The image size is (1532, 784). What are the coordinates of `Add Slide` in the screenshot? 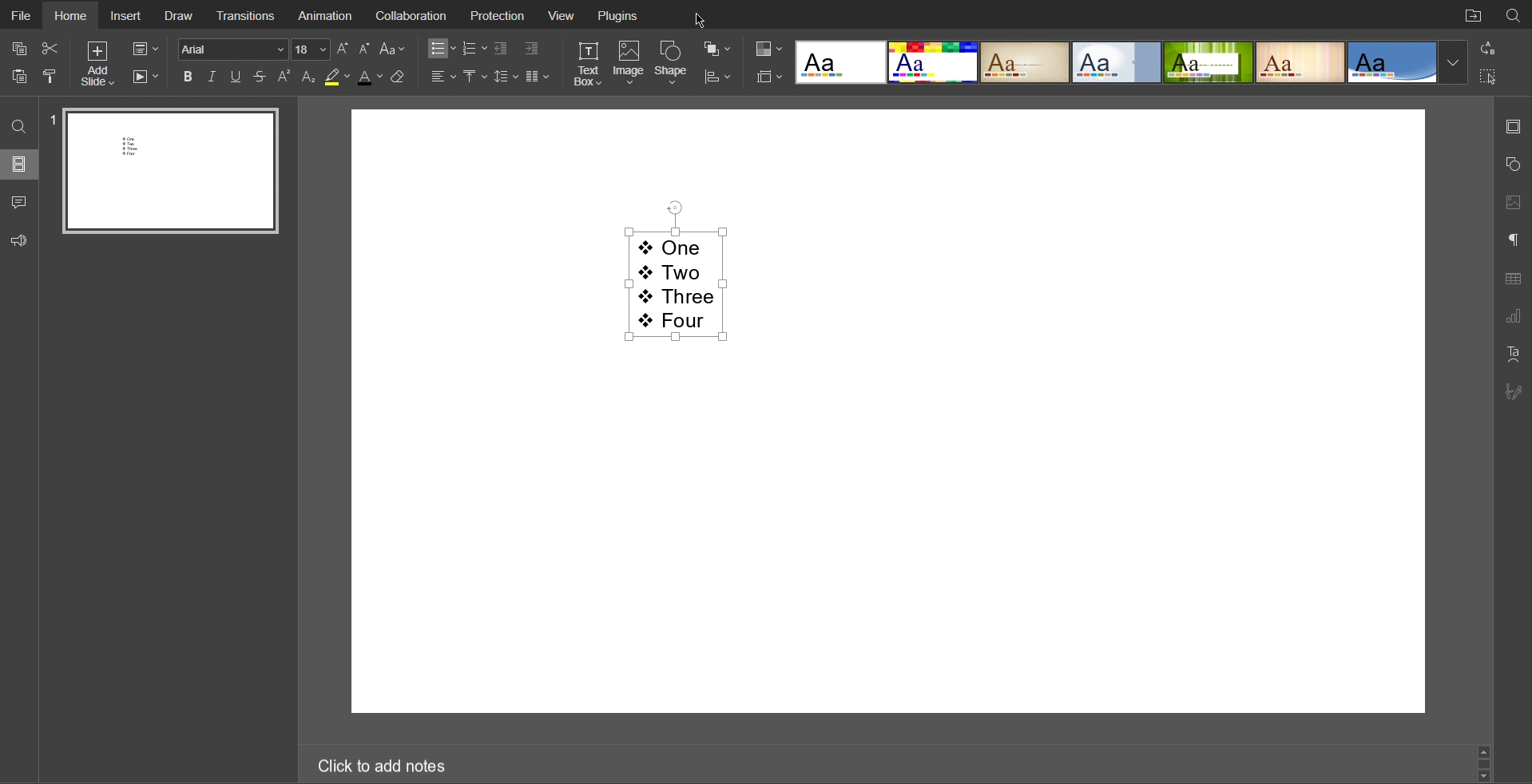 It's located at (101, 64).